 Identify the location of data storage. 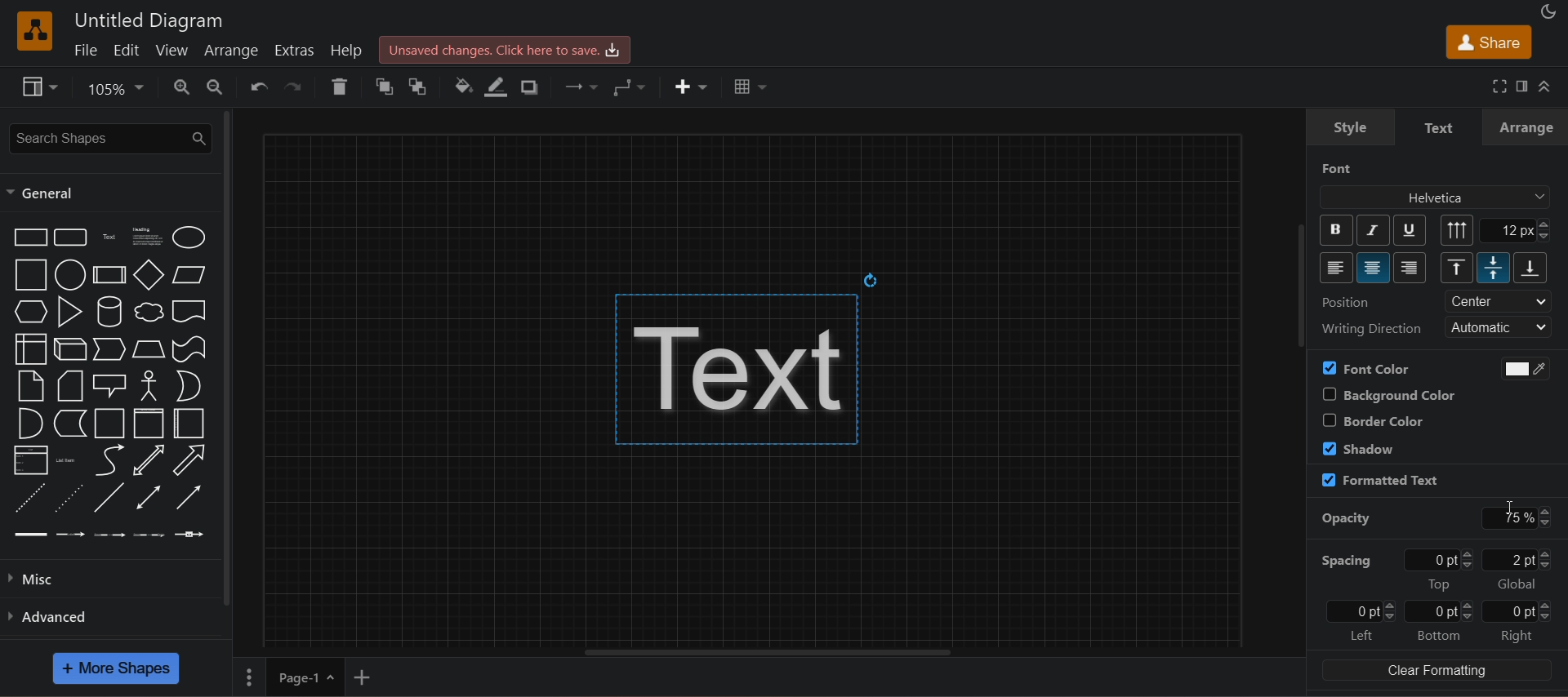
(71, 423).